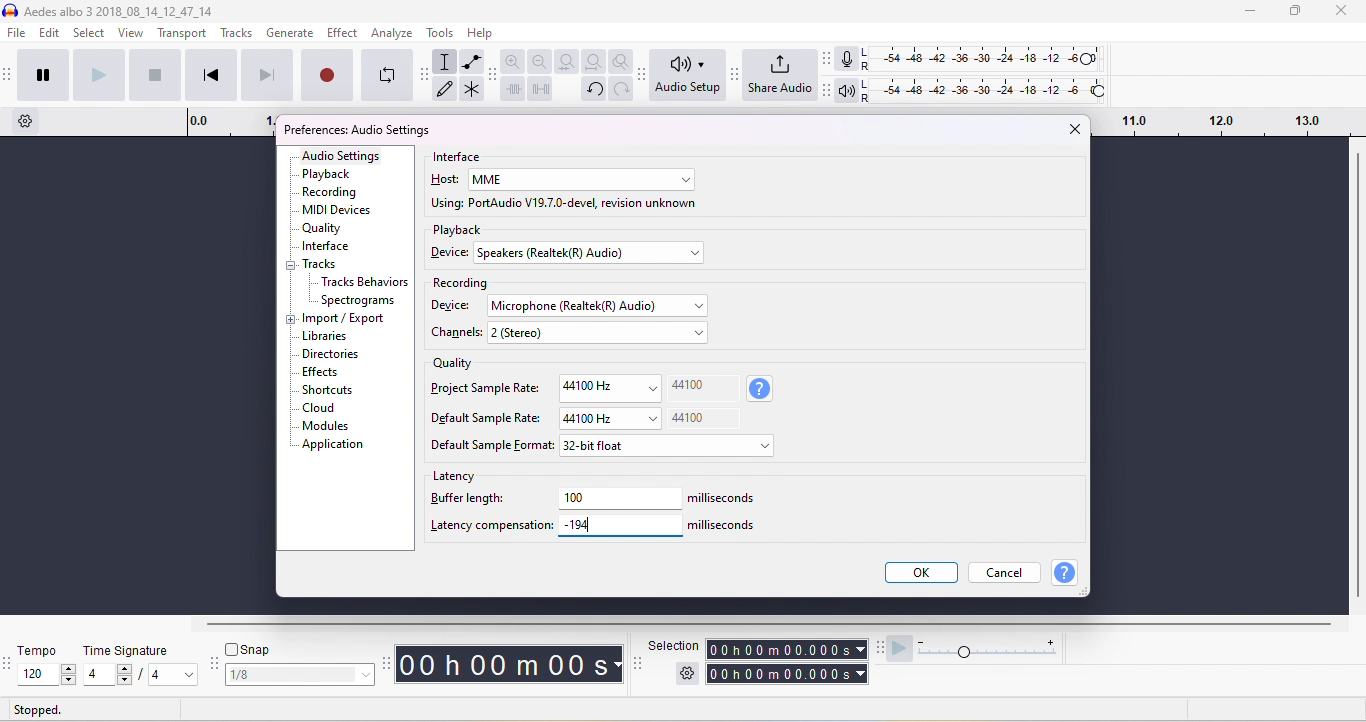  What do you see at coordinates (473, 63) in the screenshot?
I see `envelop tool` at bounding box center [473, 63].